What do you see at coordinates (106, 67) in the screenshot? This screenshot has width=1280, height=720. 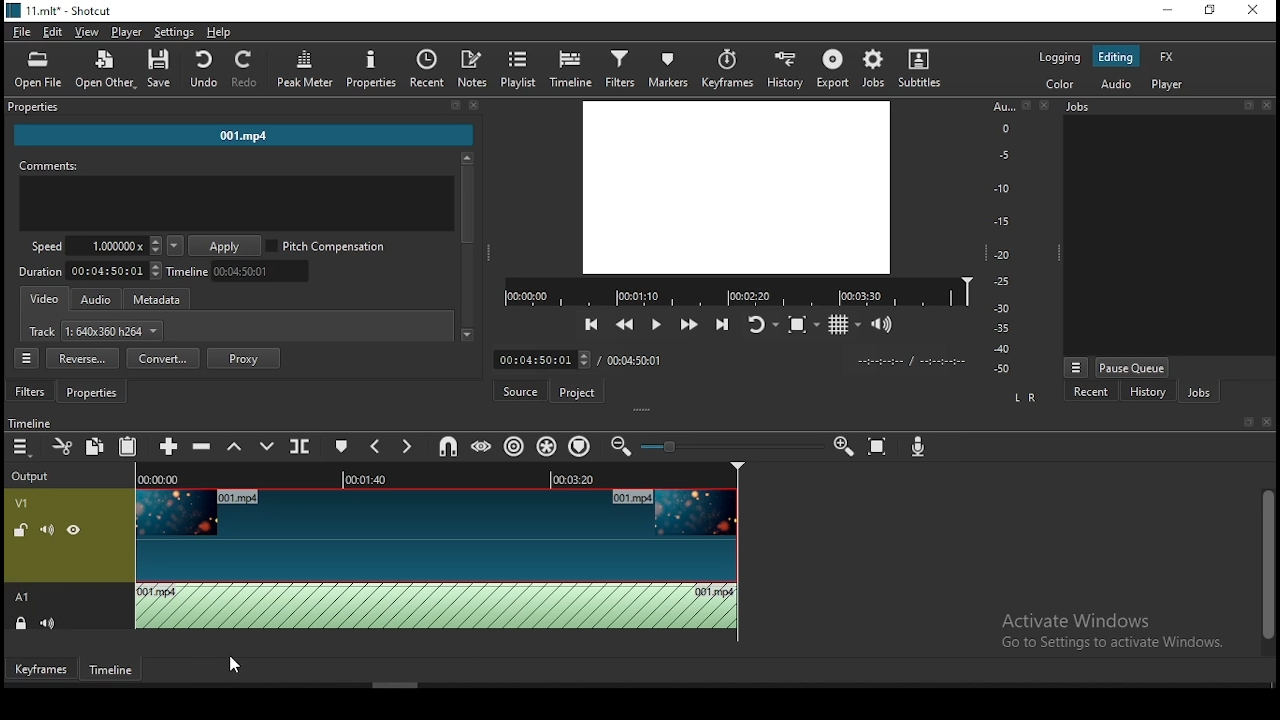 I see `open other` at bounding box center [106, 67].